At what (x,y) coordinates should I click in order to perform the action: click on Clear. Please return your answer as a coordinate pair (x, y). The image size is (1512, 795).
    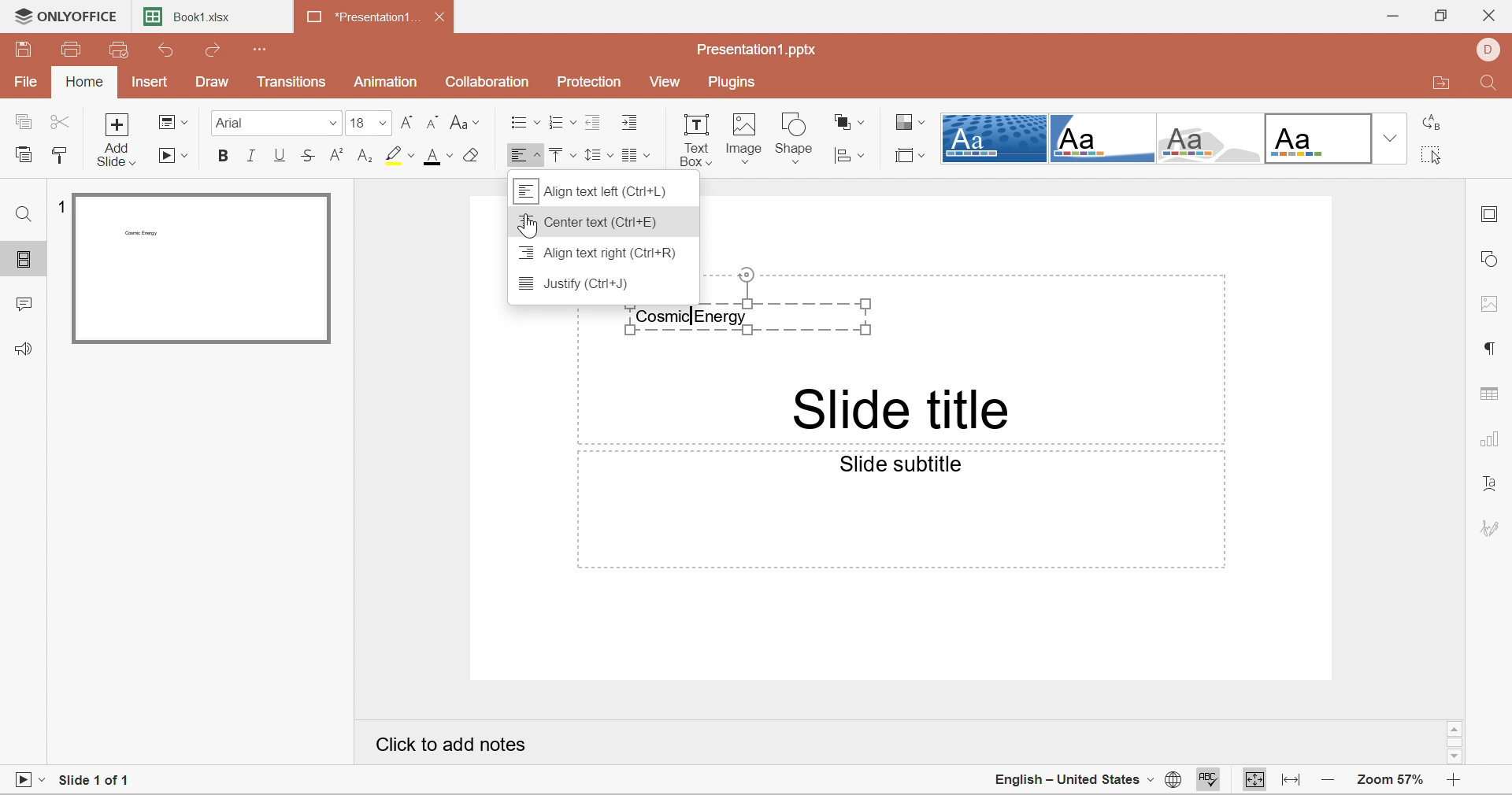
    Looking at the image, I should click on (473, 156).